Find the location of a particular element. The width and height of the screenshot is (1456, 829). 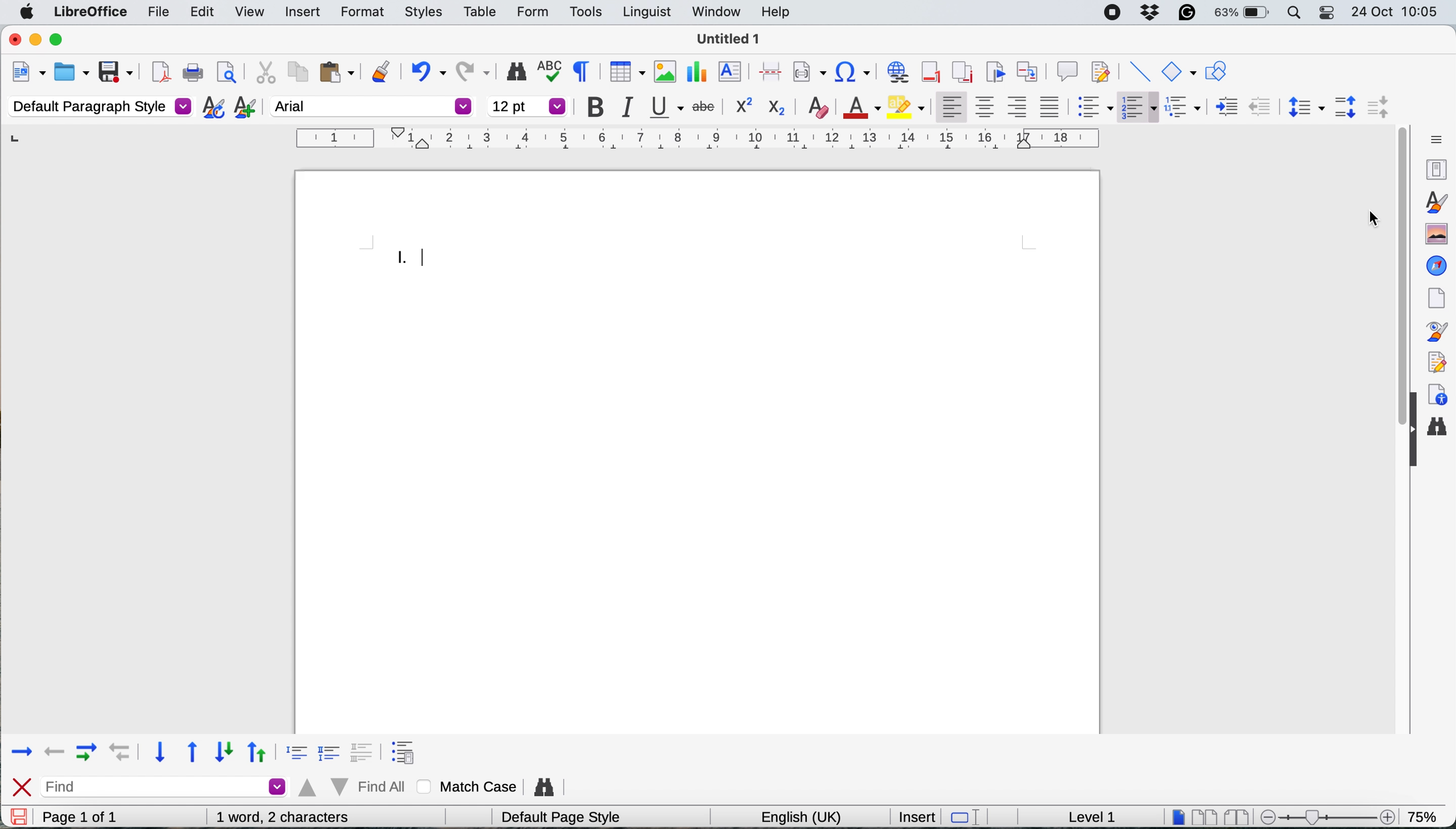

single page view is located at coordinates (1178, 816).